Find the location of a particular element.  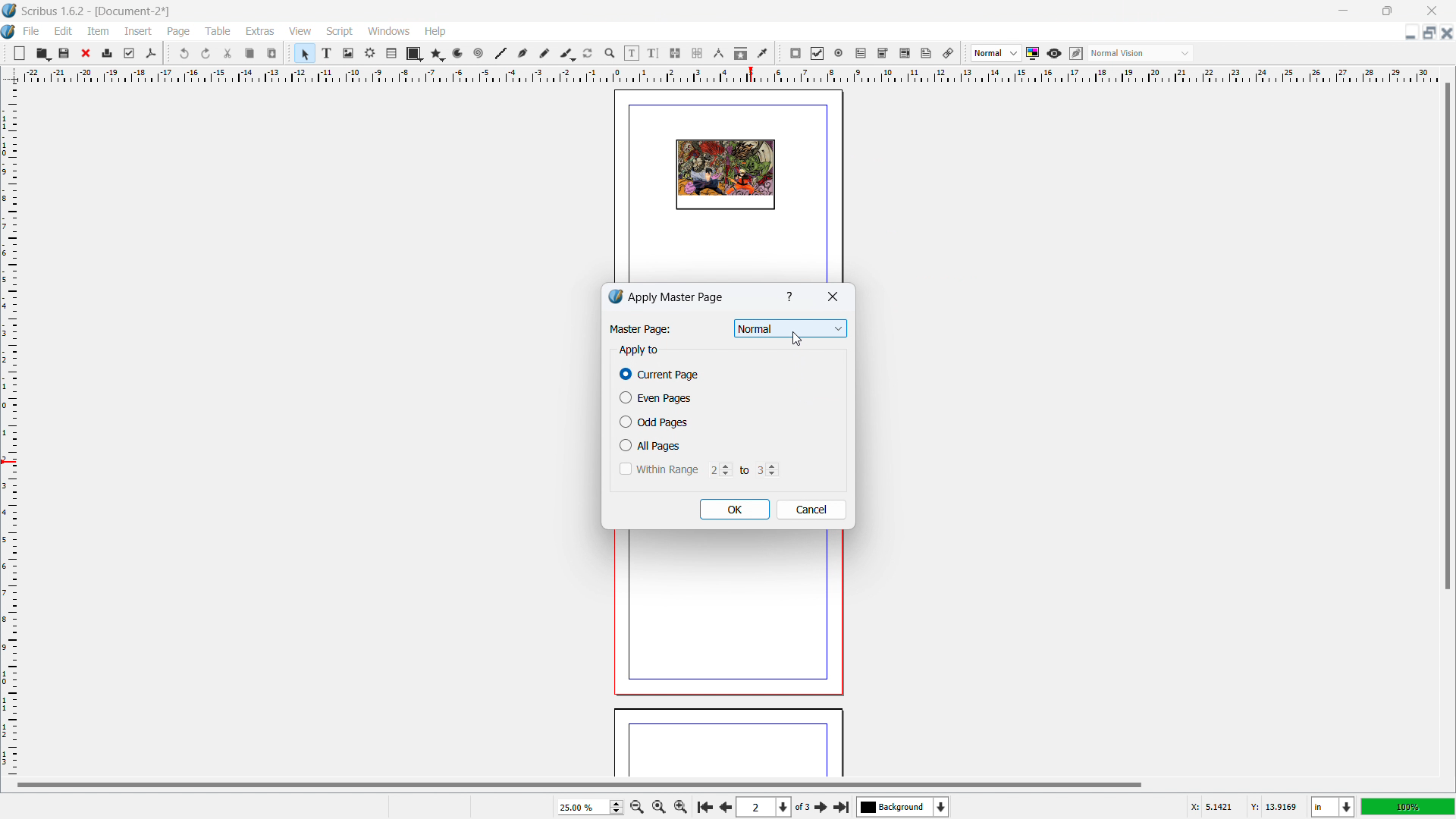

last page is located at coordinates (841, 805).